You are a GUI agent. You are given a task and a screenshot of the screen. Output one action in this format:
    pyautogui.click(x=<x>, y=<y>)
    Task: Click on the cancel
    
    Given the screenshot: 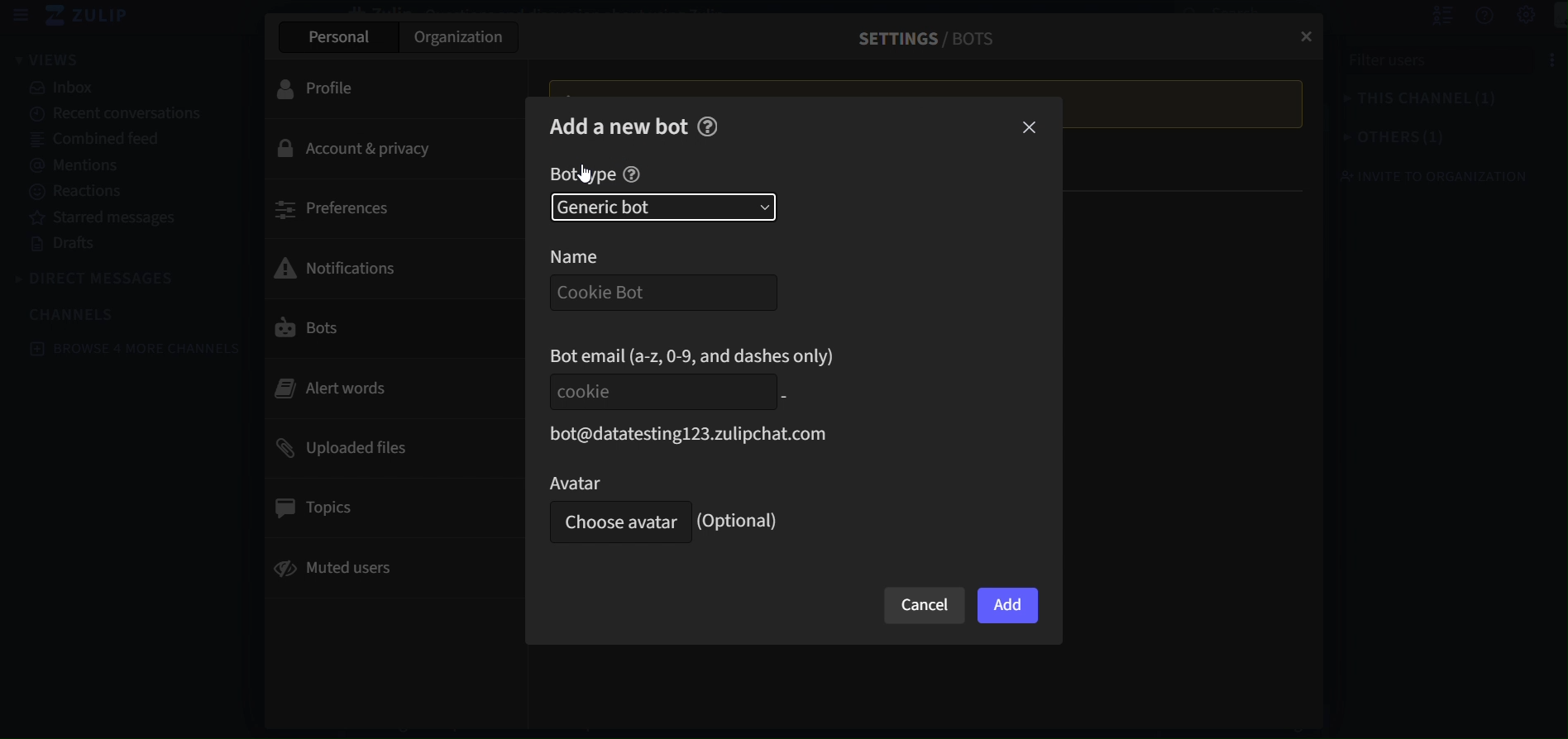 What is the action you would take?
    pyautogui.click(x=925, y=606)
    